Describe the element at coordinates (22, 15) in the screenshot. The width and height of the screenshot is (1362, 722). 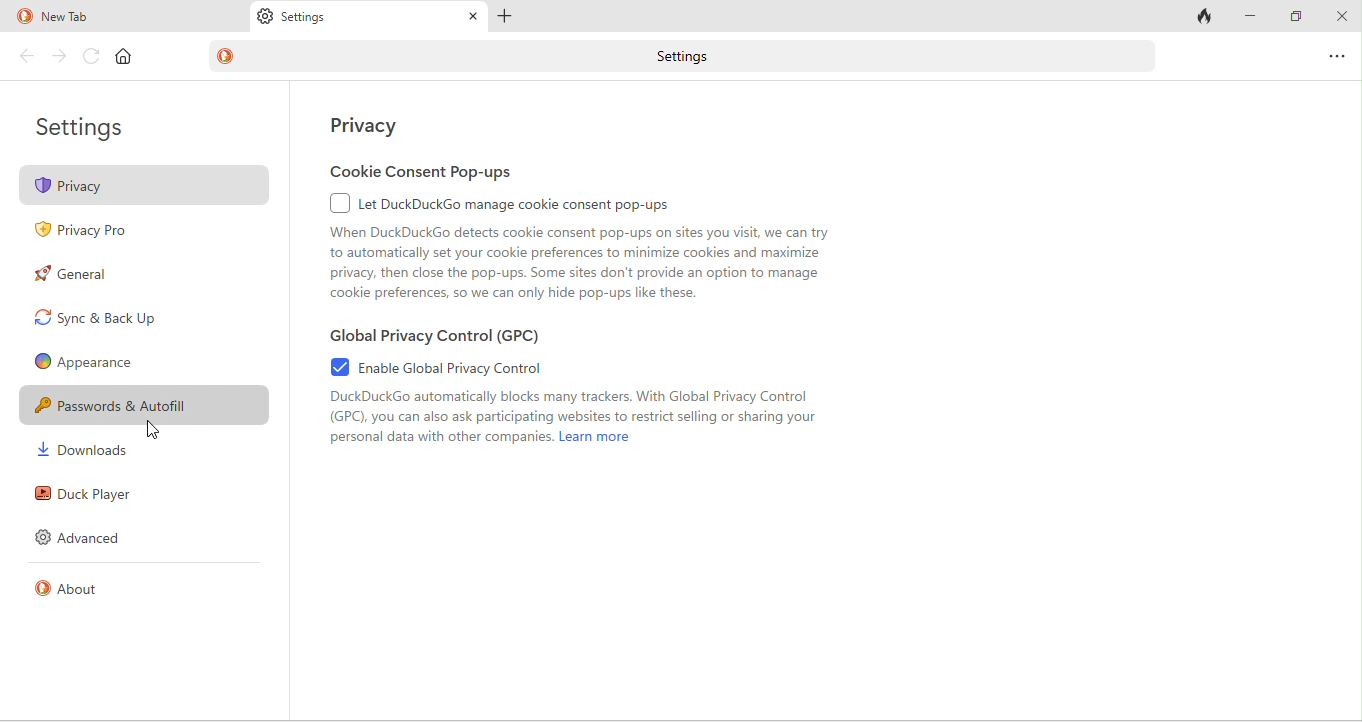
I see `duck duck go logo` at that location.